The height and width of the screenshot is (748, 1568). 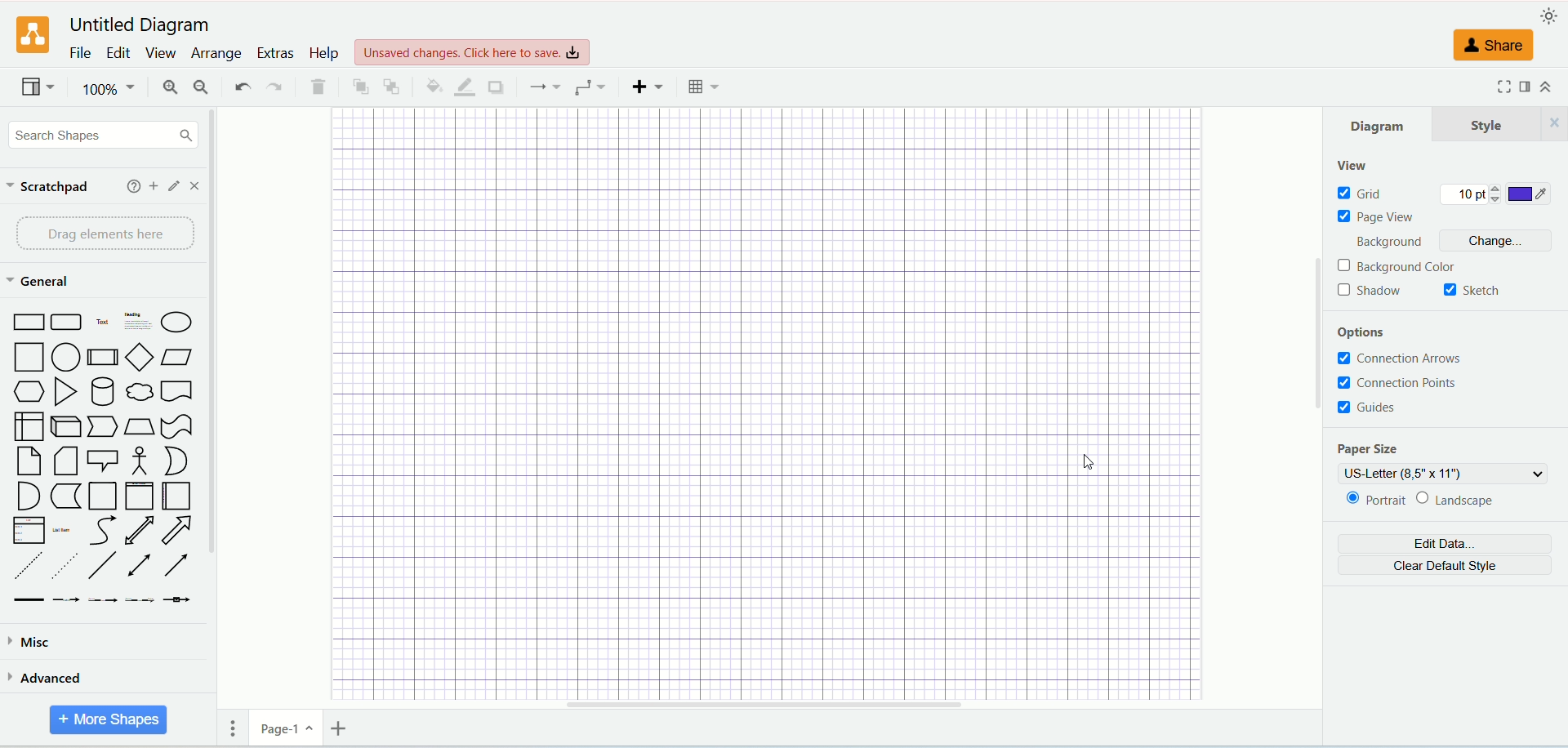 What do you see at coordinates (470, 51) in the screenshot?
I see `click here to save` at bounding box center [470, 51].